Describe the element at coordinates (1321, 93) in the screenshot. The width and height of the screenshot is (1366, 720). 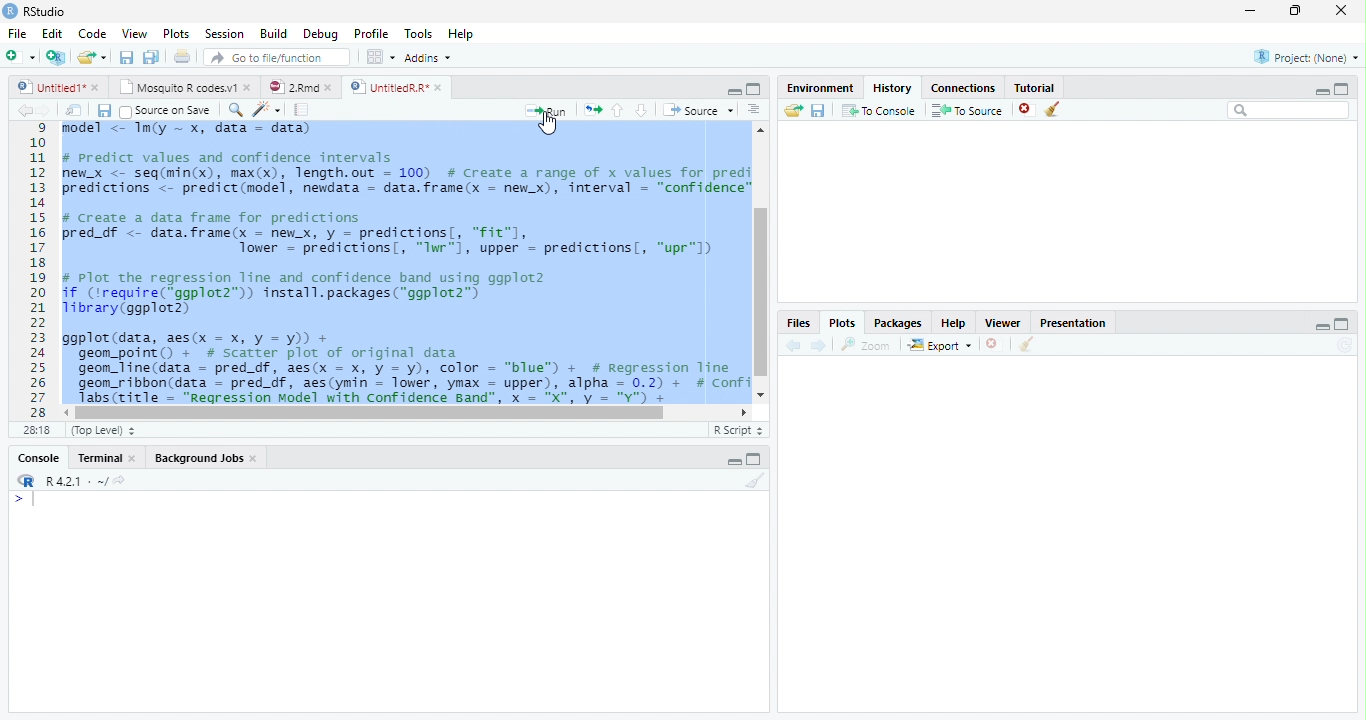
I see `Minimize` at that location.